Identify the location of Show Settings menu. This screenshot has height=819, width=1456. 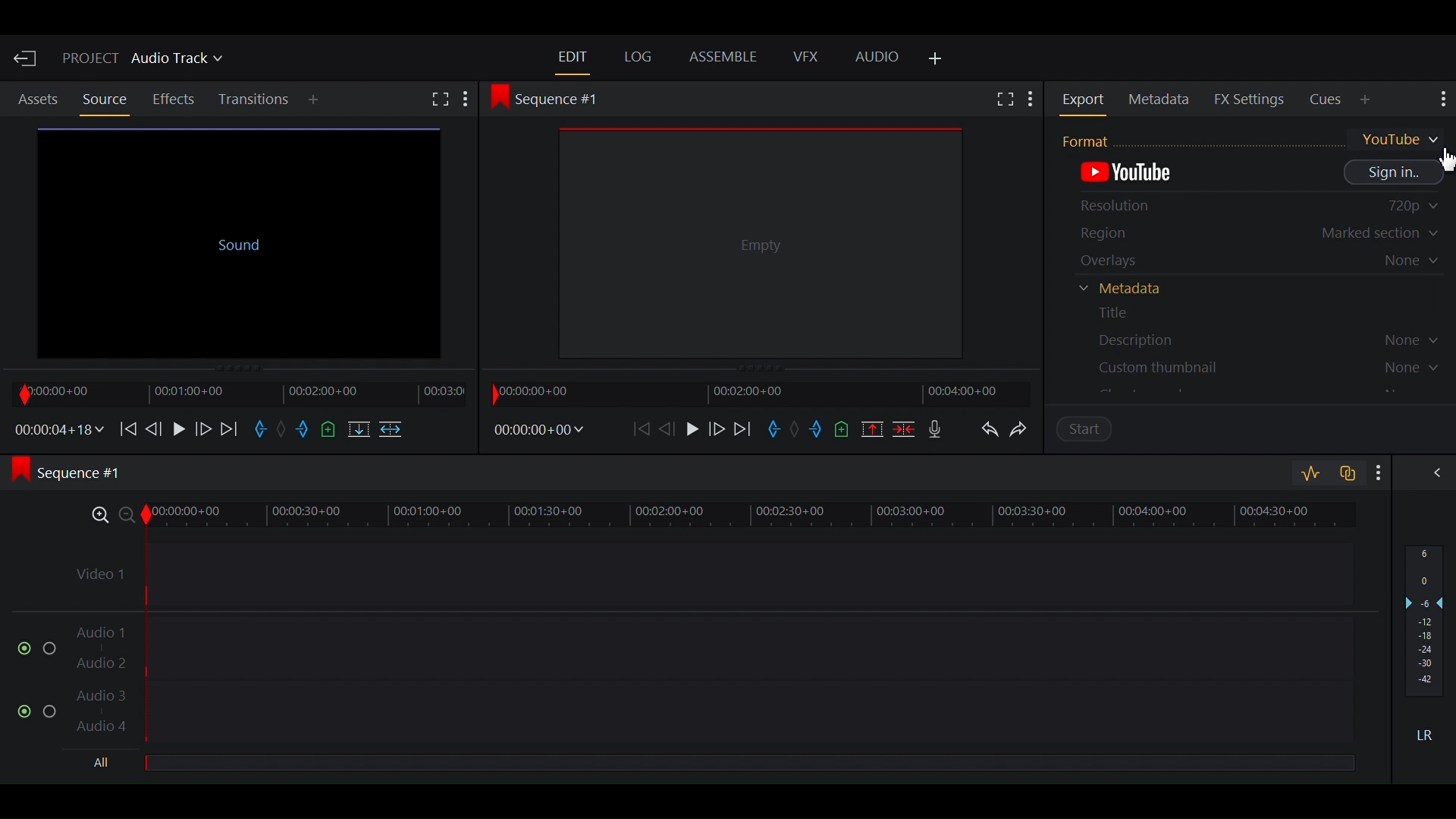
(1031, 101).